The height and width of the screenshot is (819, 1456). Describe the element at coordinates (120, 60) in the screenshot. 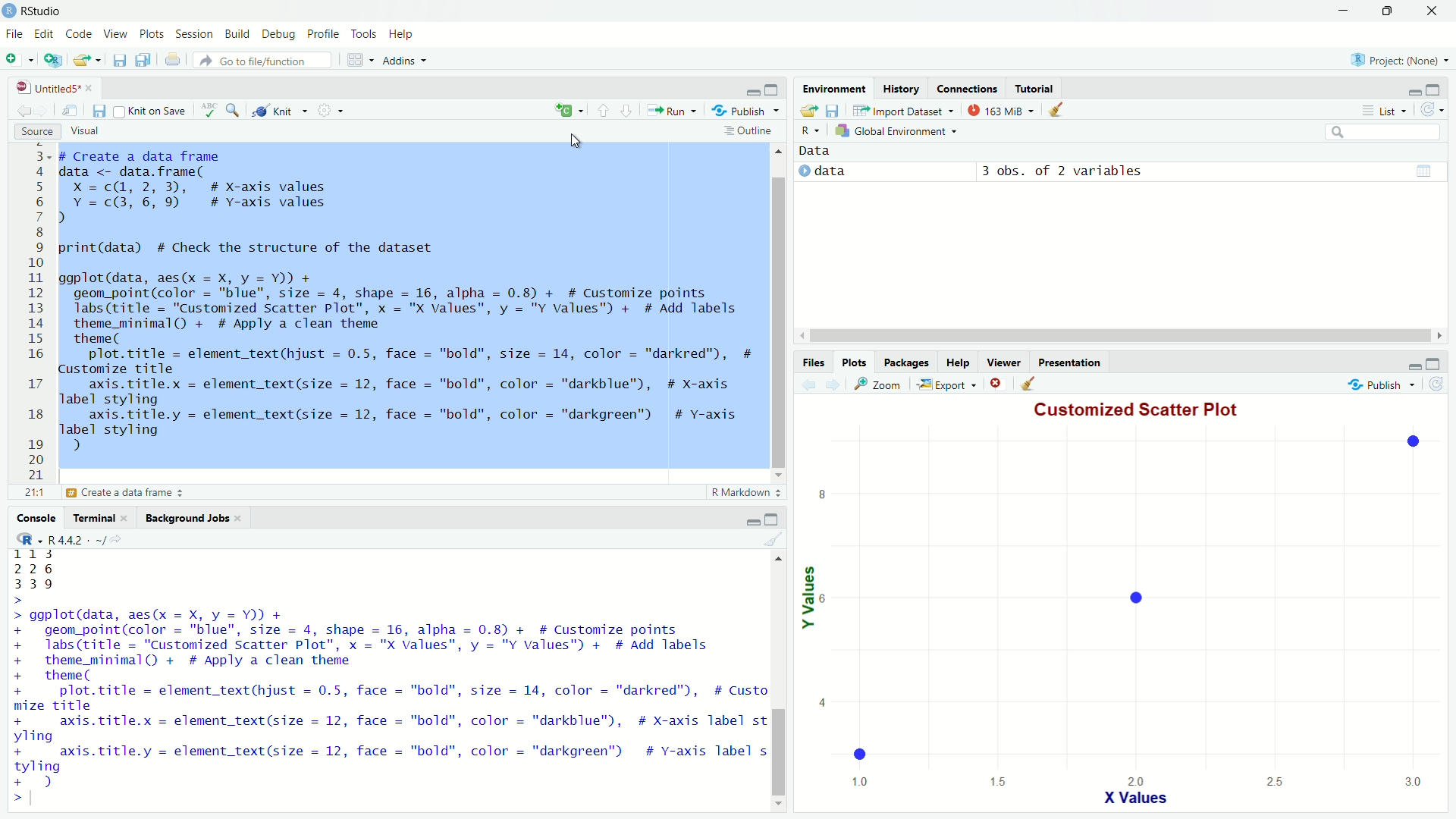

I see `Save current document` at that location.